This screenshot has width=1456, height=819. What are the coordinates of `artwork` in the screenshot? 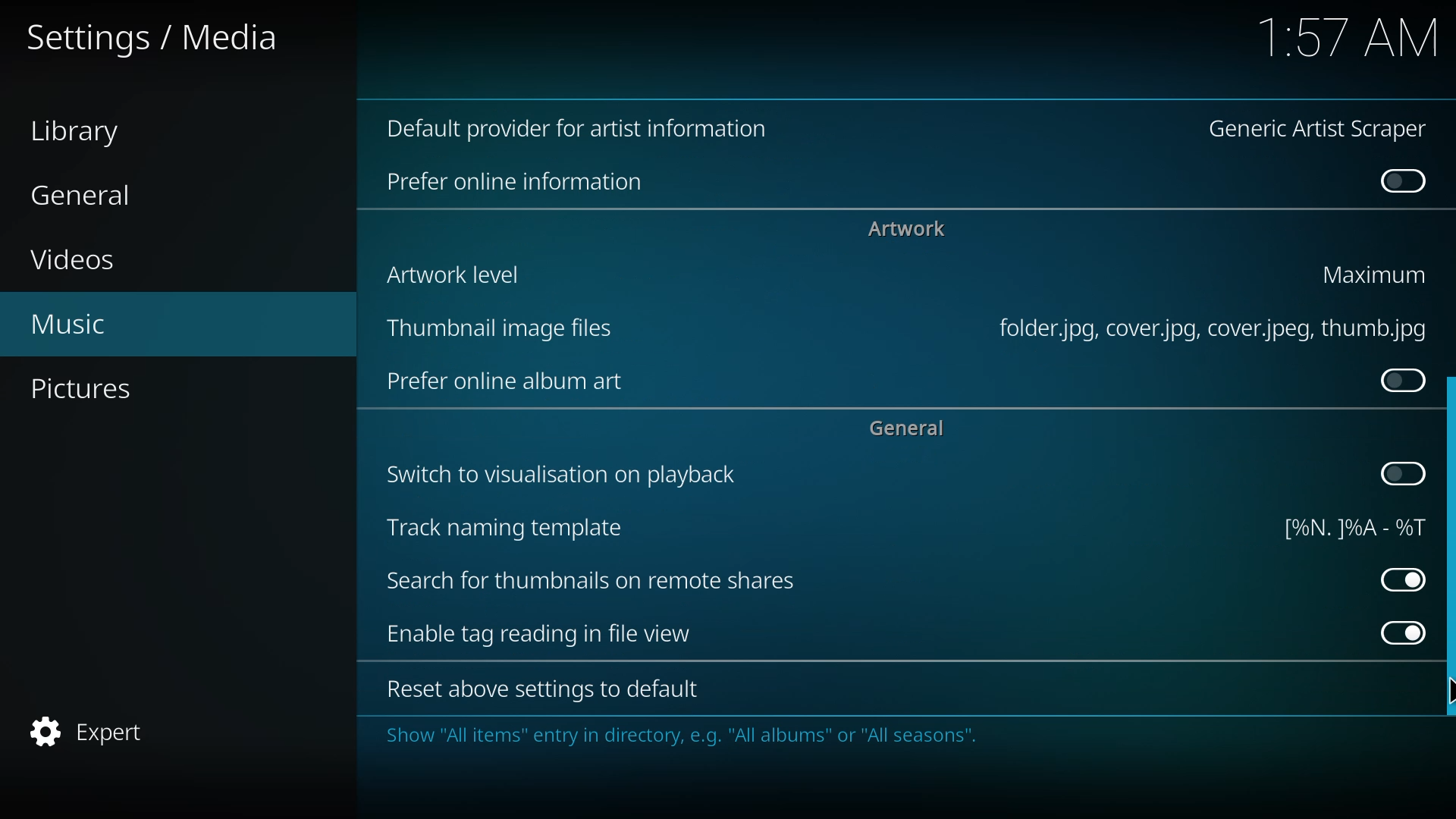 It's located at (905, 229).